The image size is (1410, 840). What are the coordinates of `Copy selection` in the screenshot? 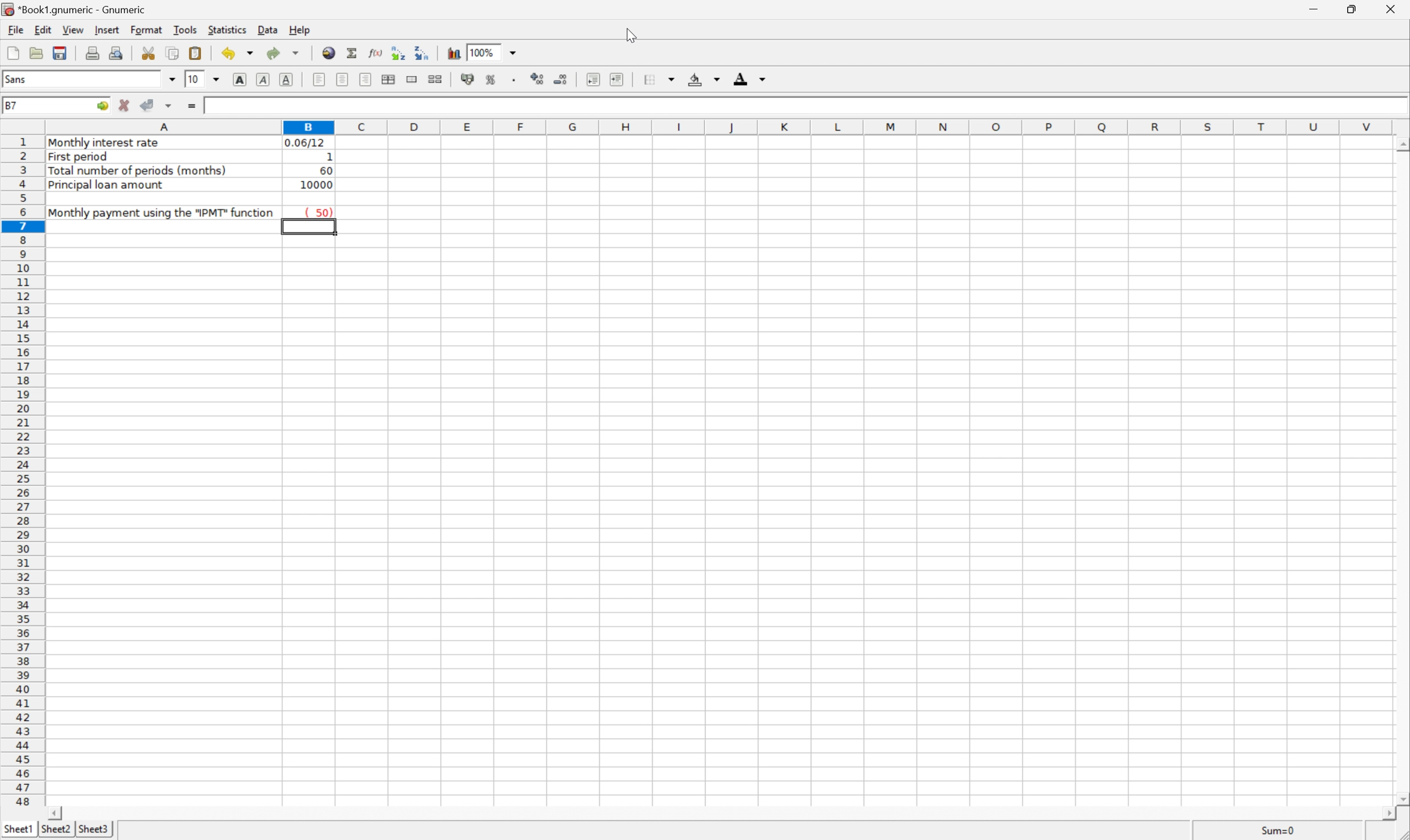 It's located at (174, 54).